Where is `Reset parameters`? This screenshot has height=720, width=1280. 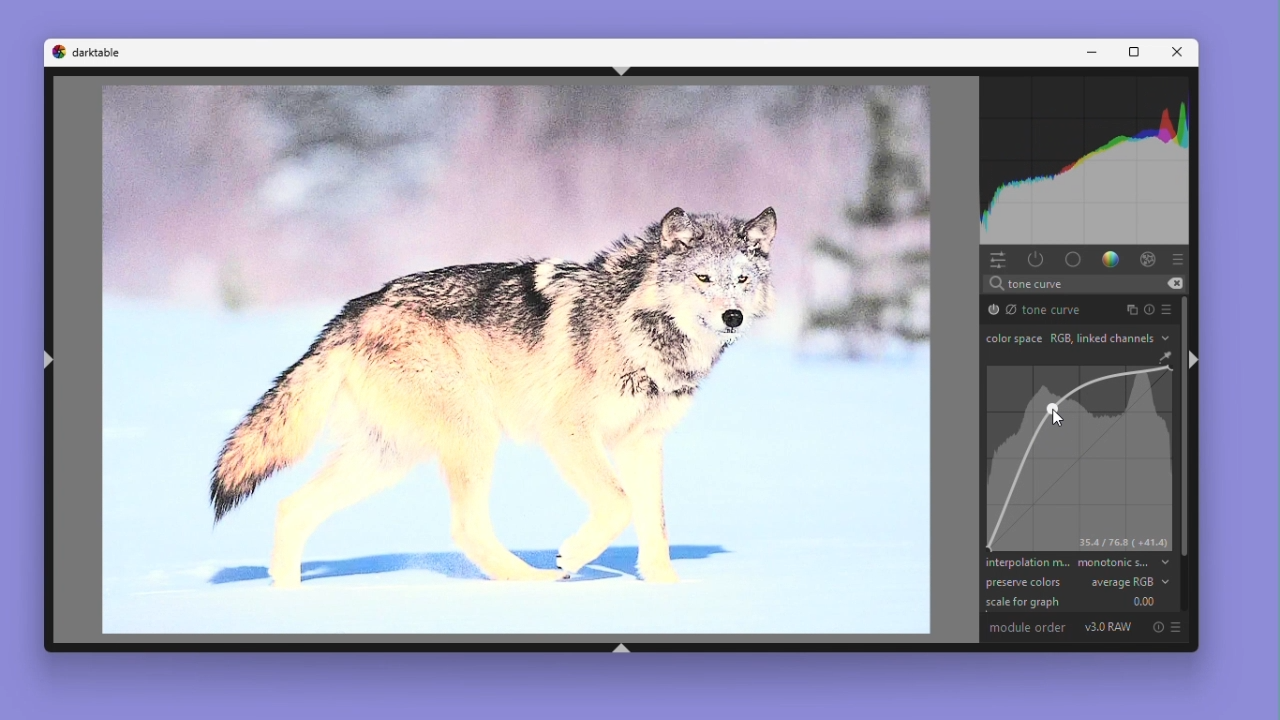 Reset parameters is located at coordinates (1150, 309).